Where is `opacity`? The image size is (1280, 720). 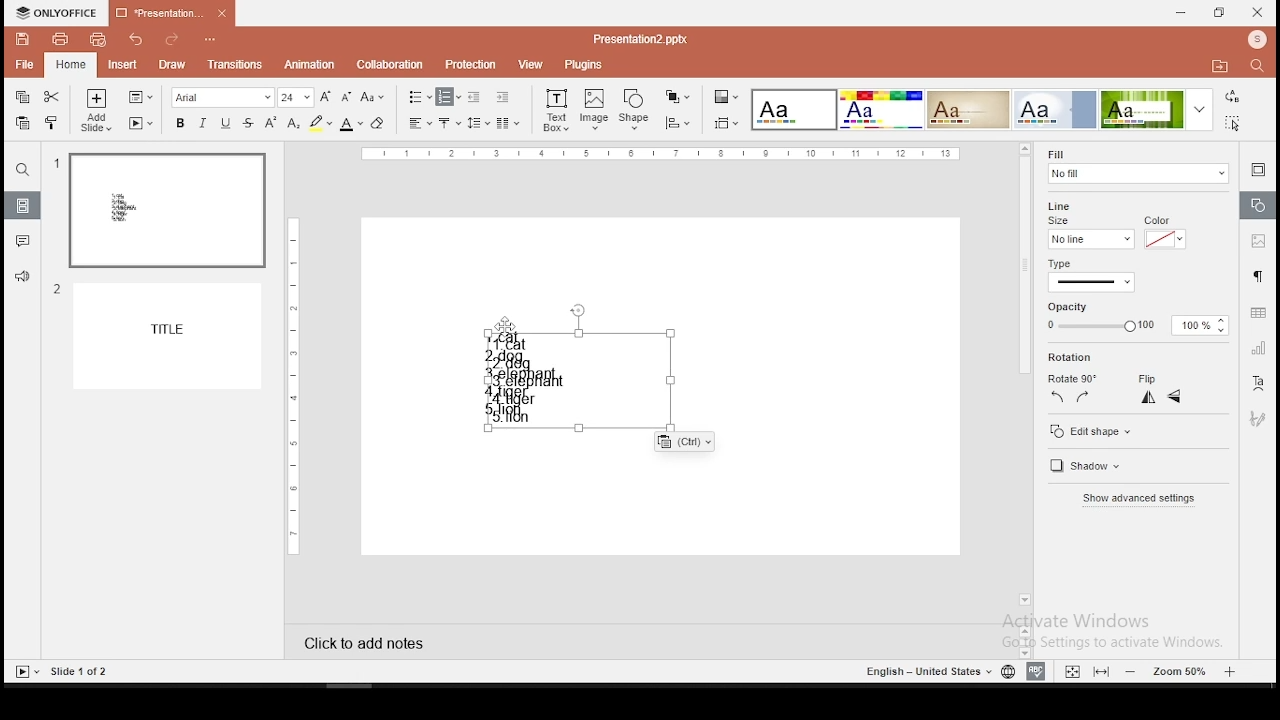
opacity is located at coordinates (1138, 318).